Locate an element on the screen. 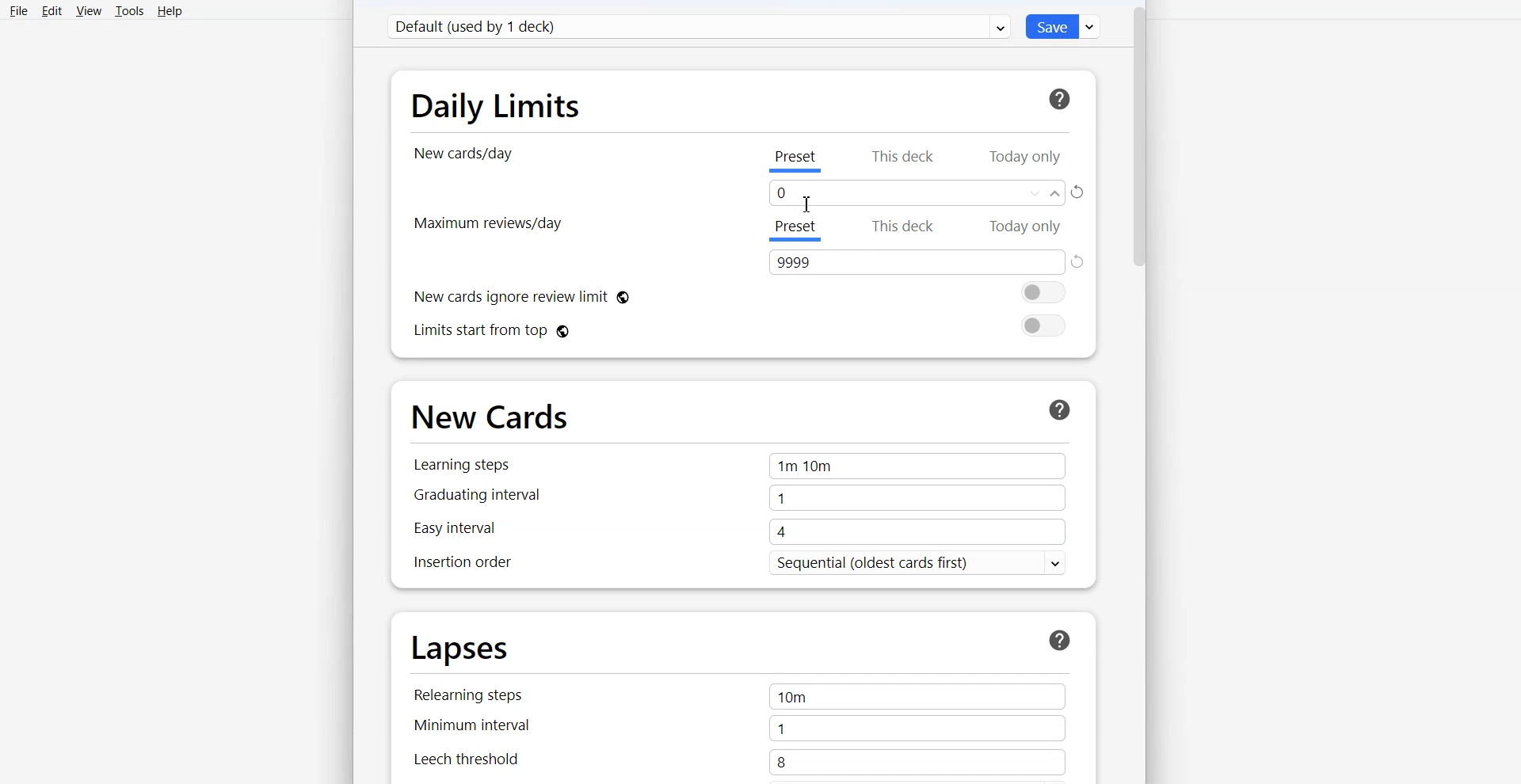 The height and width of the screenshot is (784, 1521). Sequential (oldest cards first) v is located at coordinates (914, 564).